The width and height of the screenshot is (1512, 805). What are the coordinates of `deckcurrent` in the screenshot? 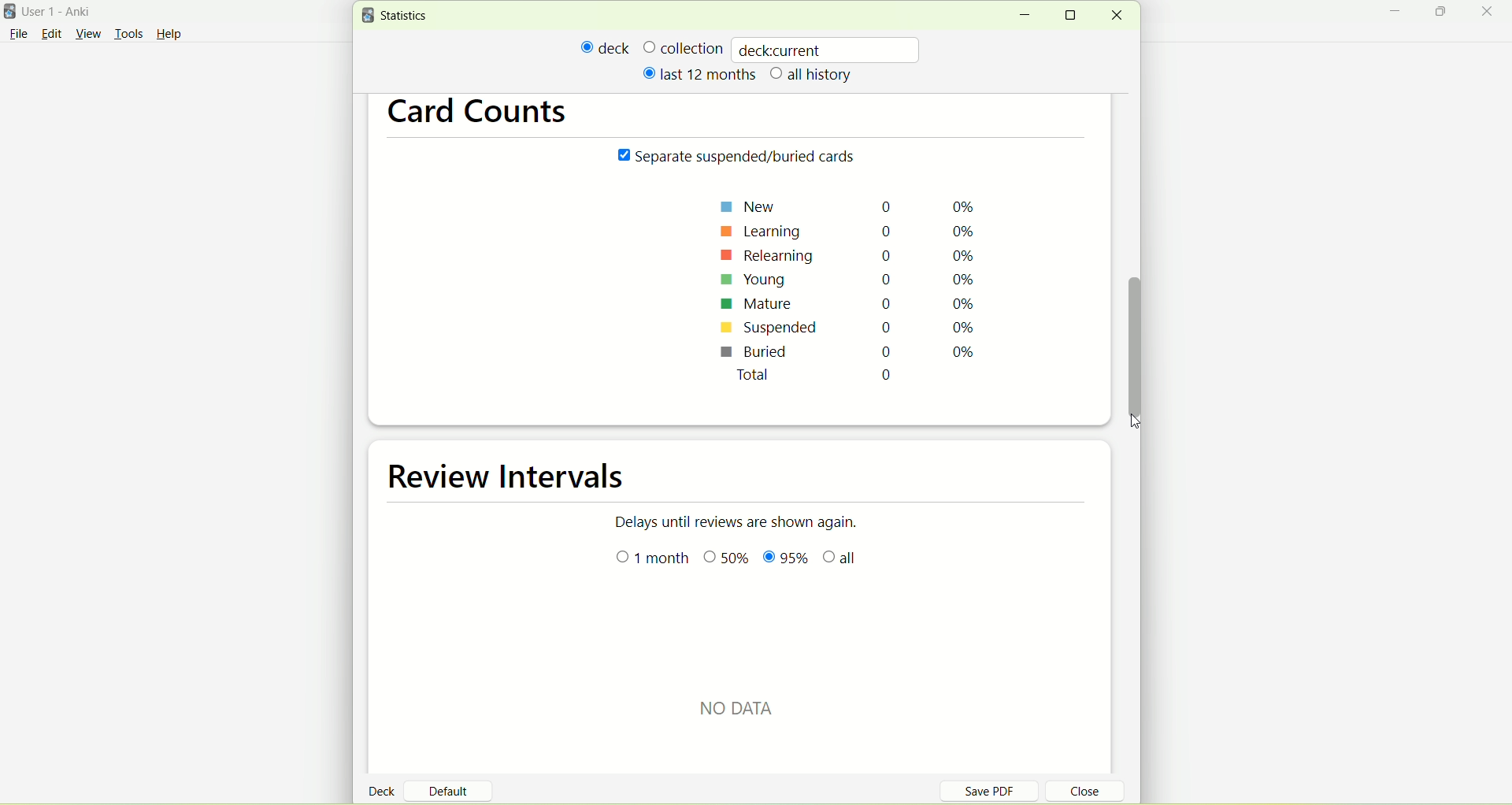 It's located at (828, 49).